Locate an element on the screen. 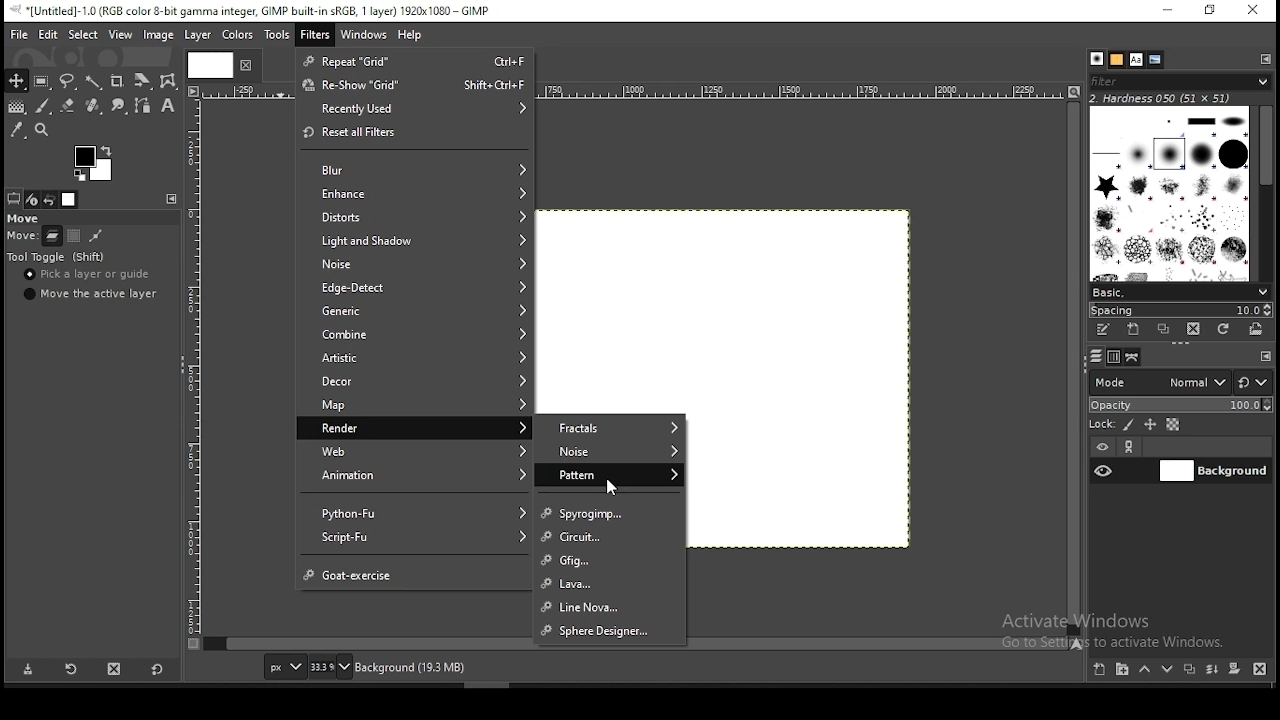 This screenshot has height=720, width=1280. refresh brushes is located at coordinates (1224, 330).